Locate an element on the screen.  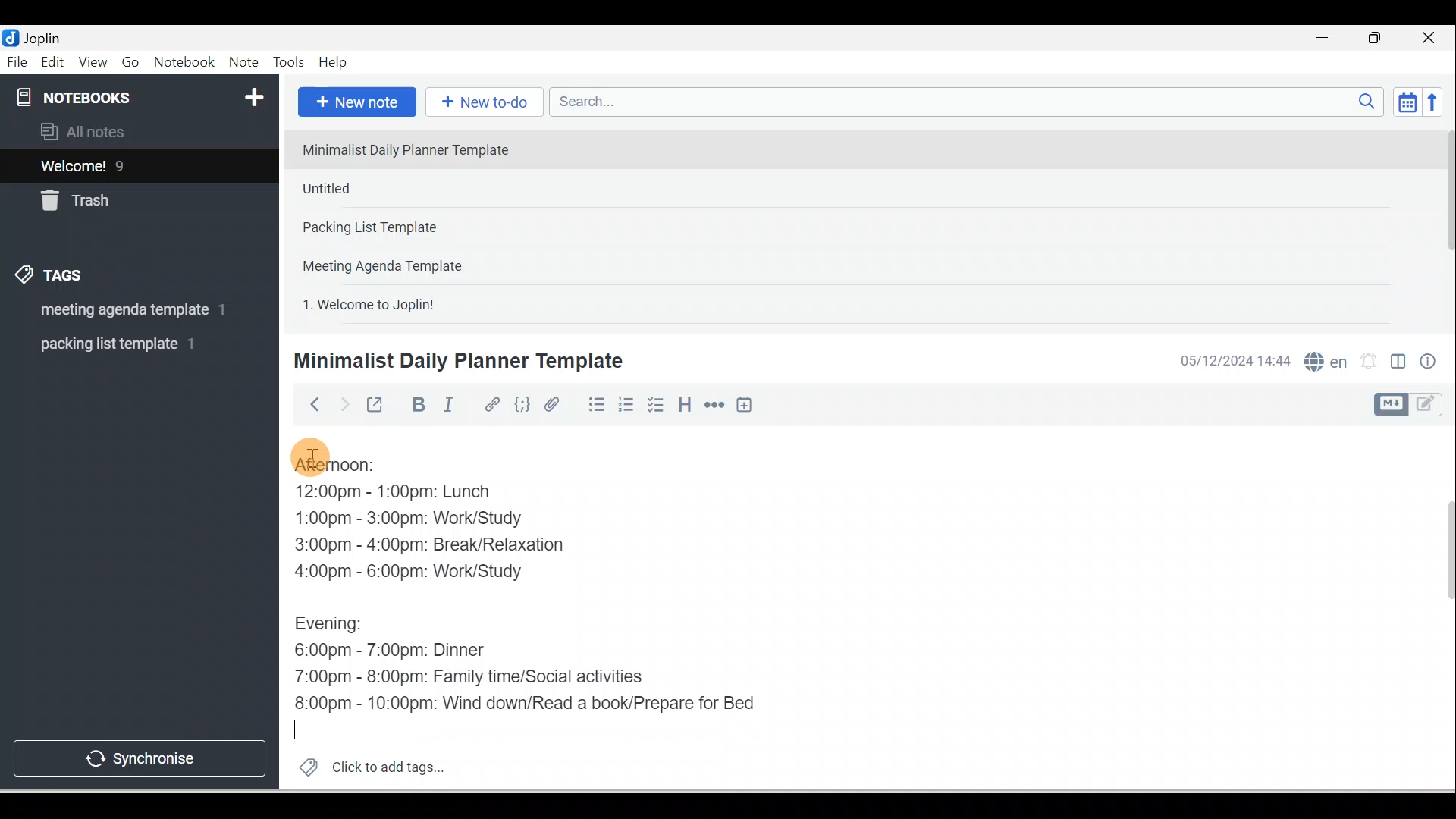
8:00pm - 10:00pm: Wind down/Read a book/Prepare for Bed is located at coordinates (526, 704).